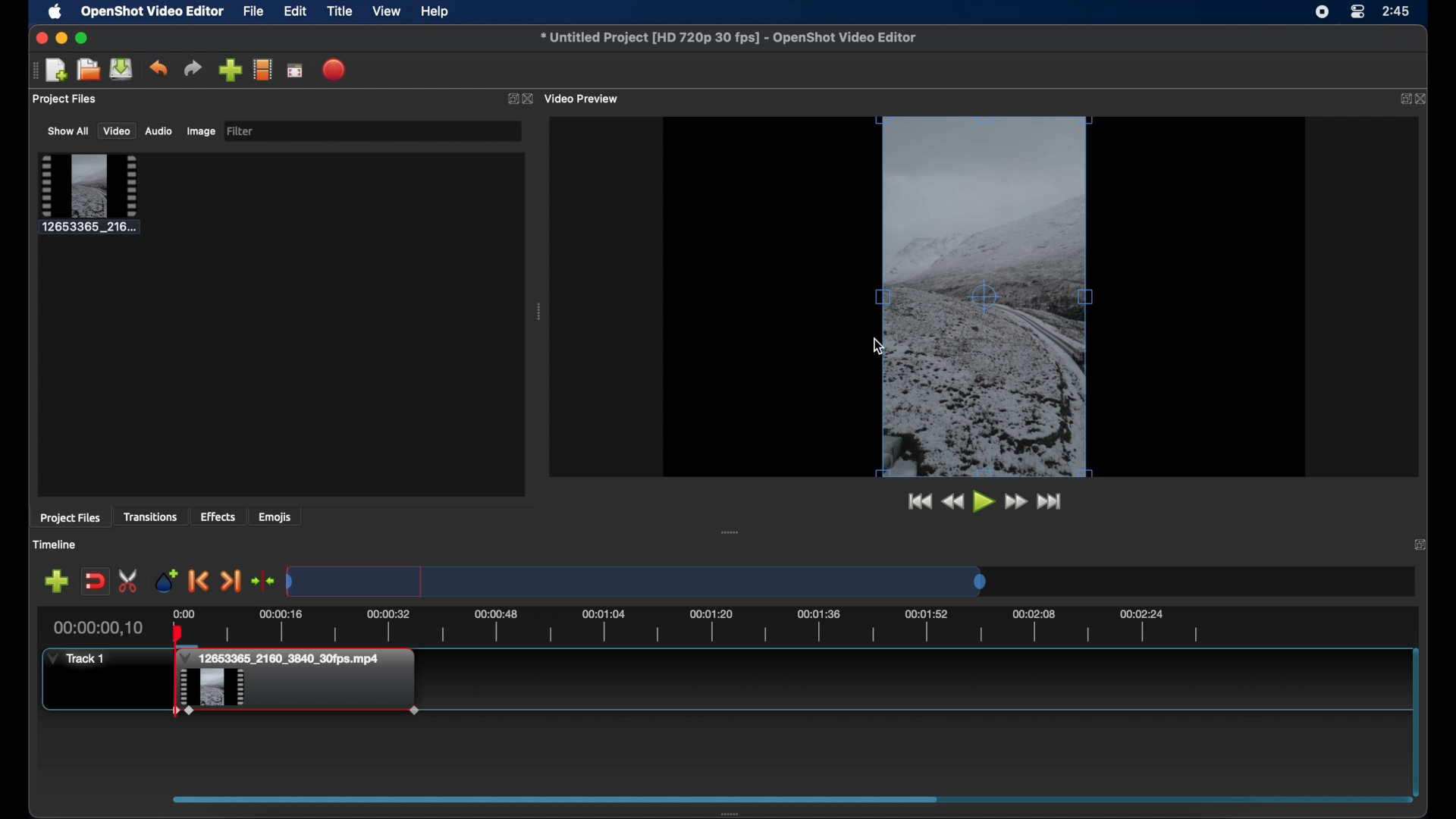 This screenshot has width=1456, height=819. Describe the element at coordinates (159, 132) in the screenshot. I see `audio` at that location.